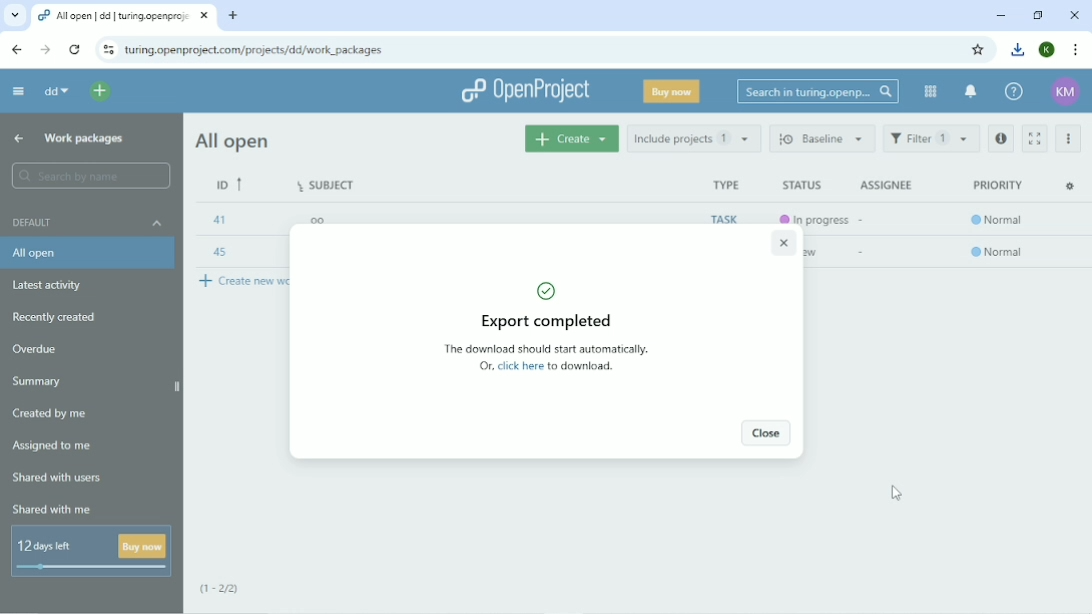  I want to click on Export completed, so click(545, 304).